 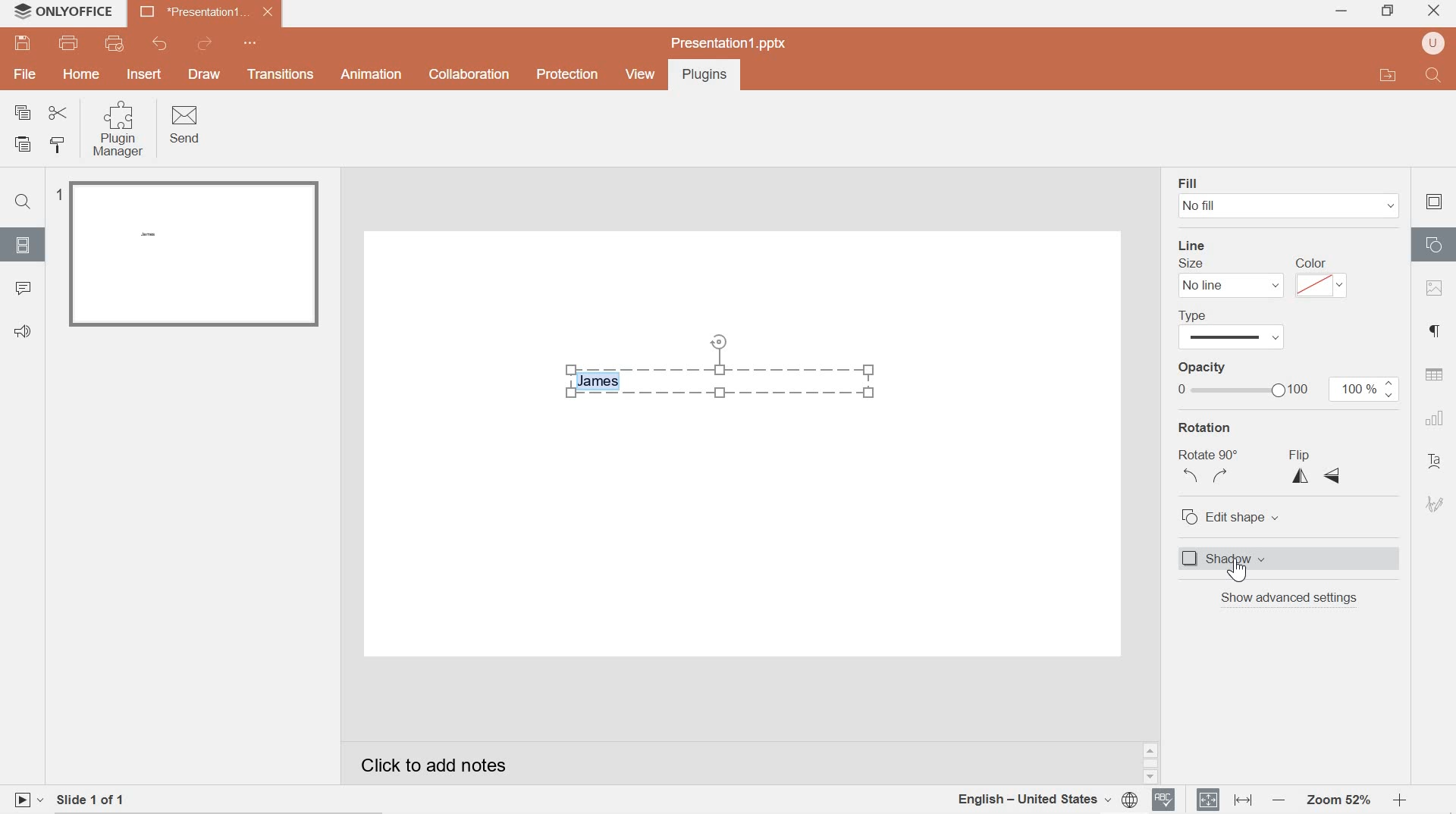 What do you see at coordinates (1436, 8) in the screenshot?
I see `close` at bounding box center [1436, 8].